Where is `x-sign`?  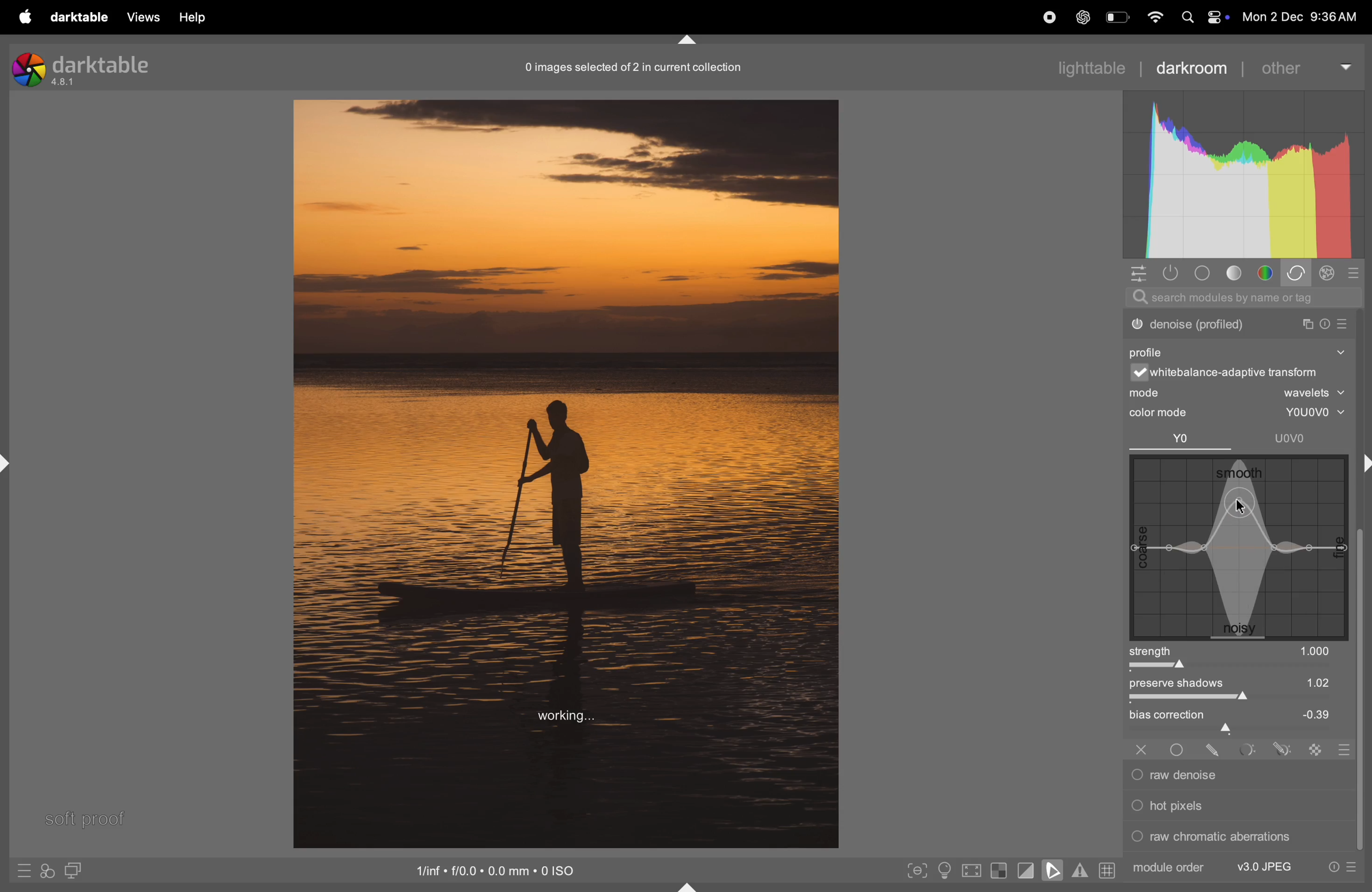
x-sign is located at coordinates (1141, 748).